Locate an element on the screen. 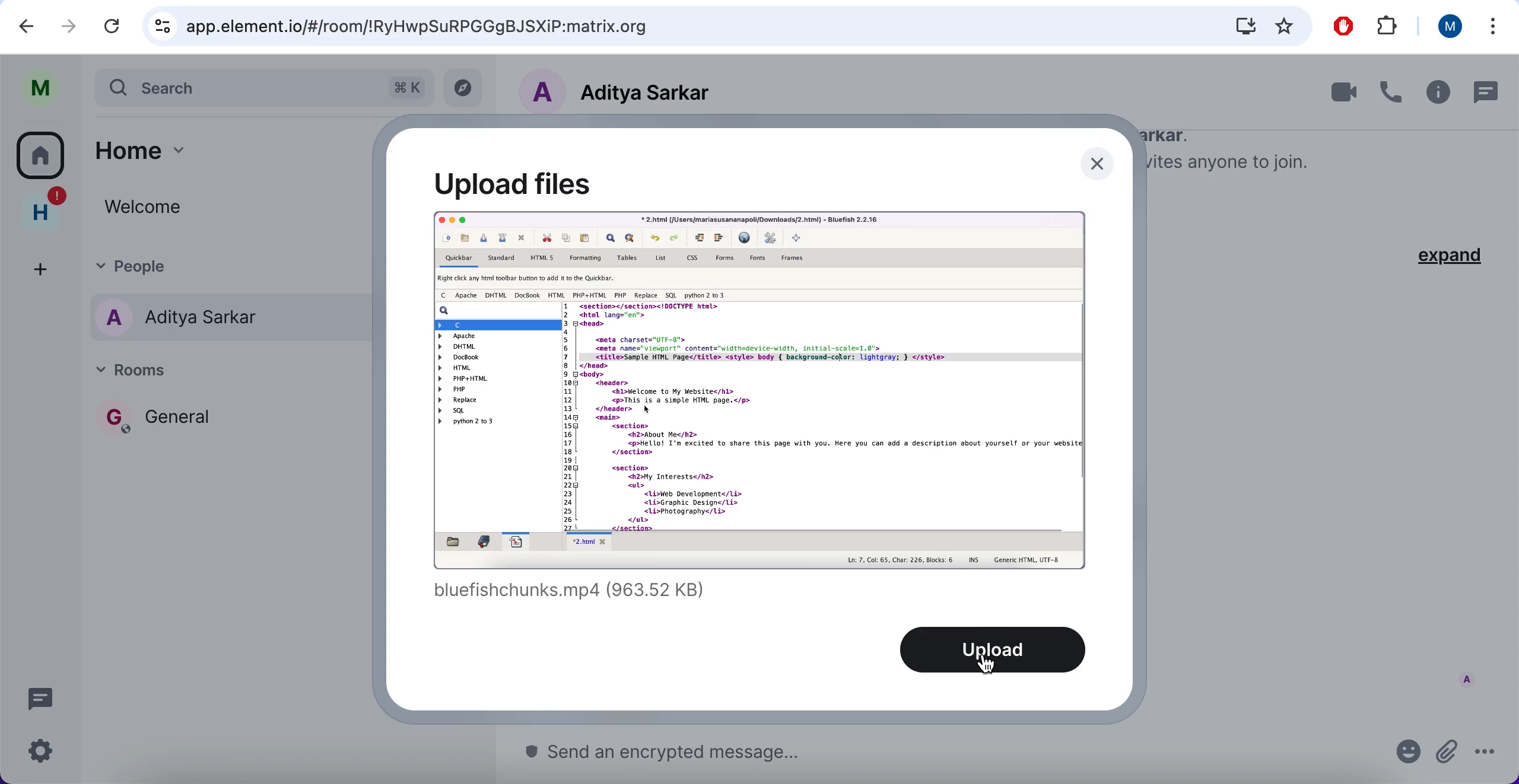 The image size is (1519, 784). home is located at coordinates (42, 206).